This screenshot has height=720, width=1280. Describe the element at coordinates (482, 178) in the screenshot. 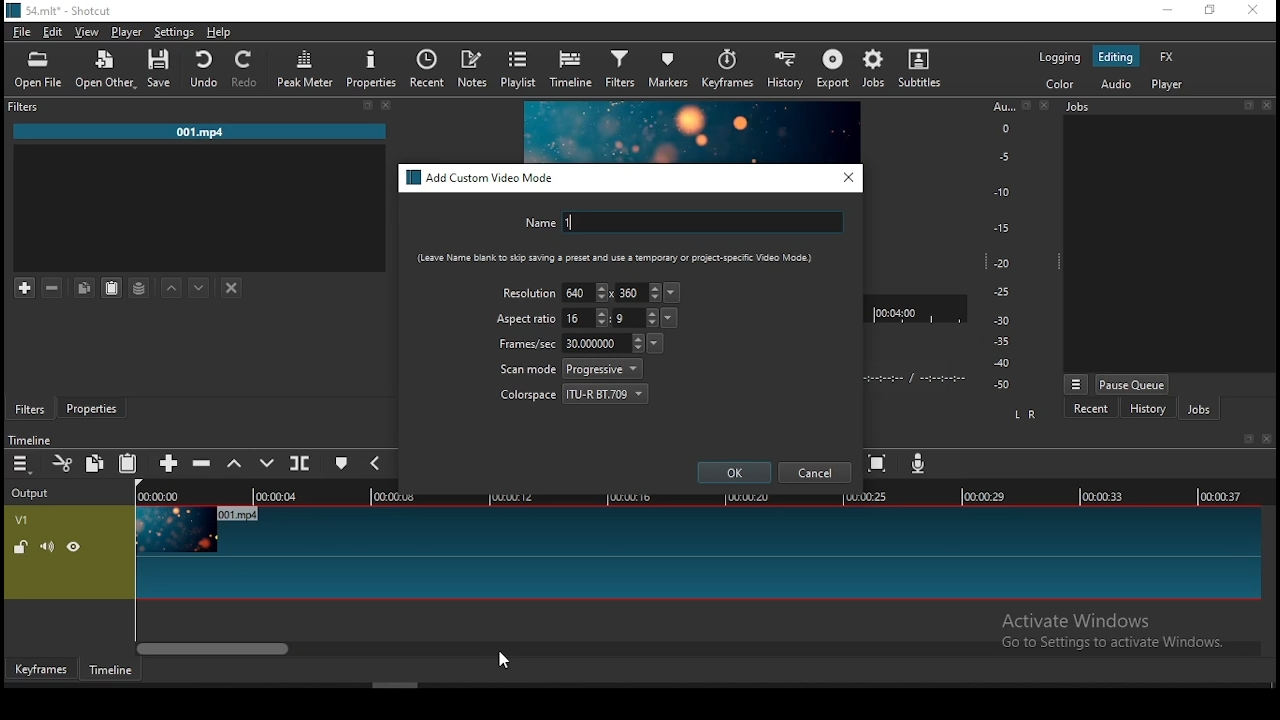

I see `add custom video mode ` at that location.